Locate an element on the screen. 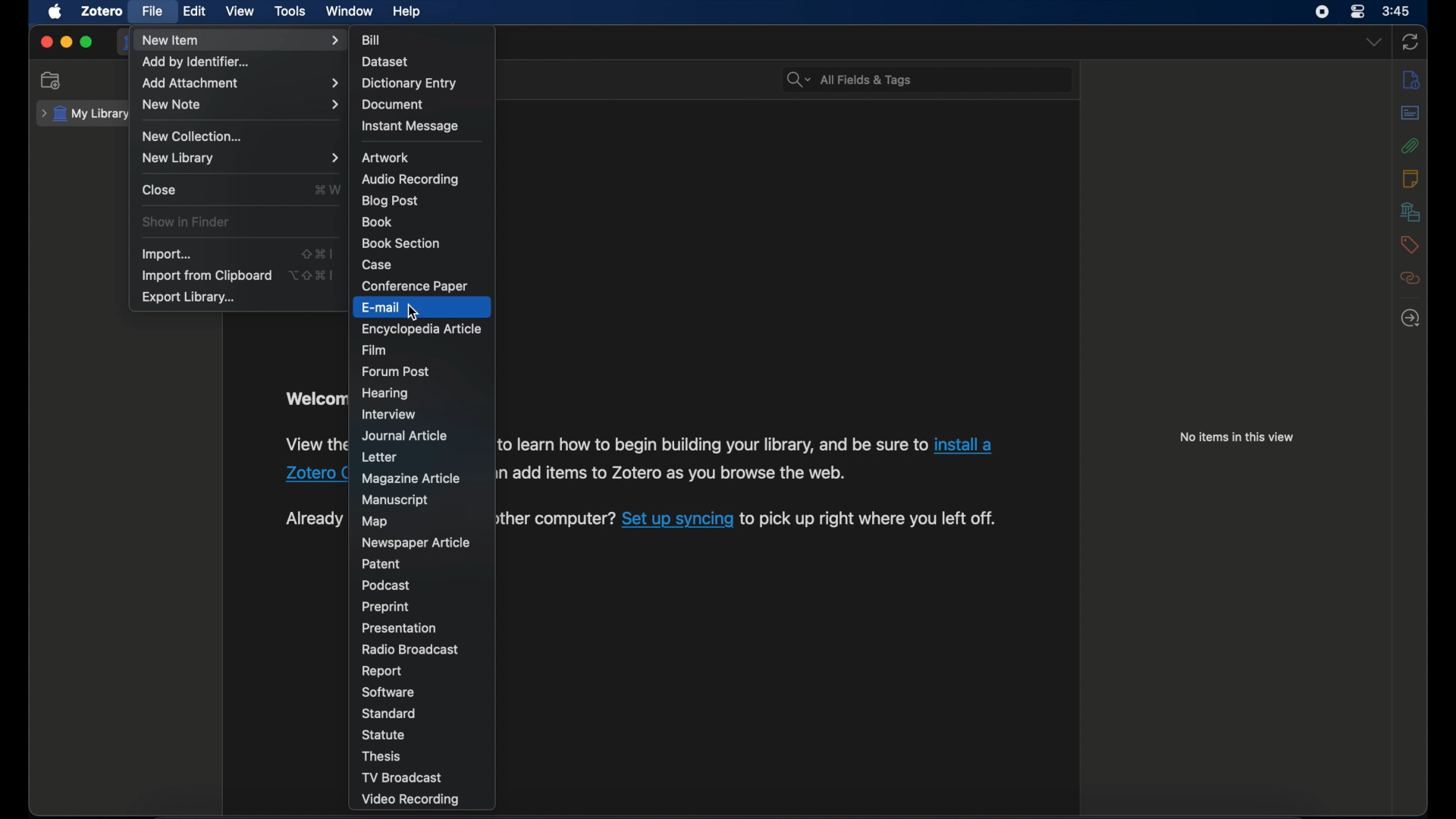 Image resolution: width=1456 pixels, height=819 pixels. newspaper article is located at coordinates (417, 541).